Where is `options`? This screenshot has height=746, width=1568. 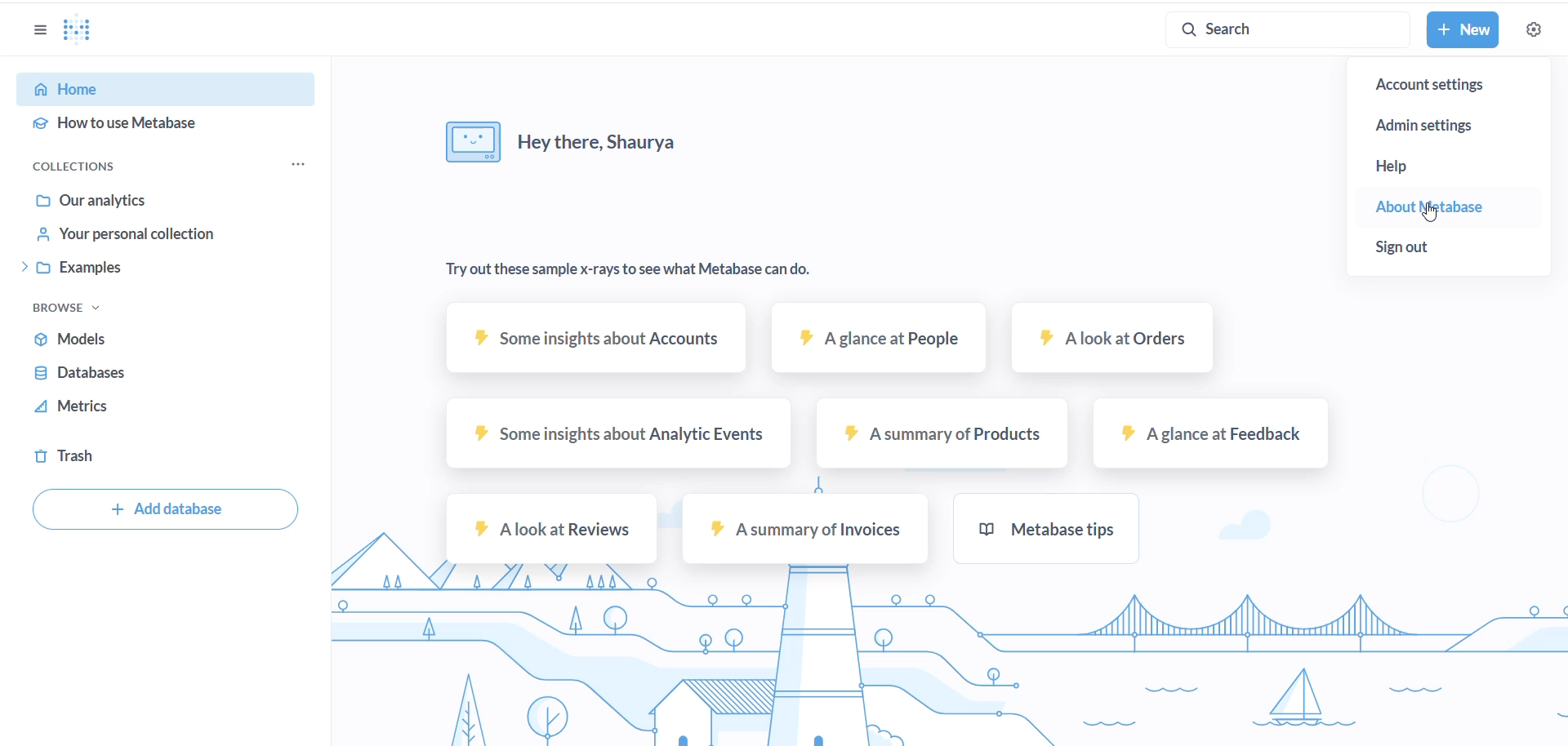 options is located at coordinates (38, 30).